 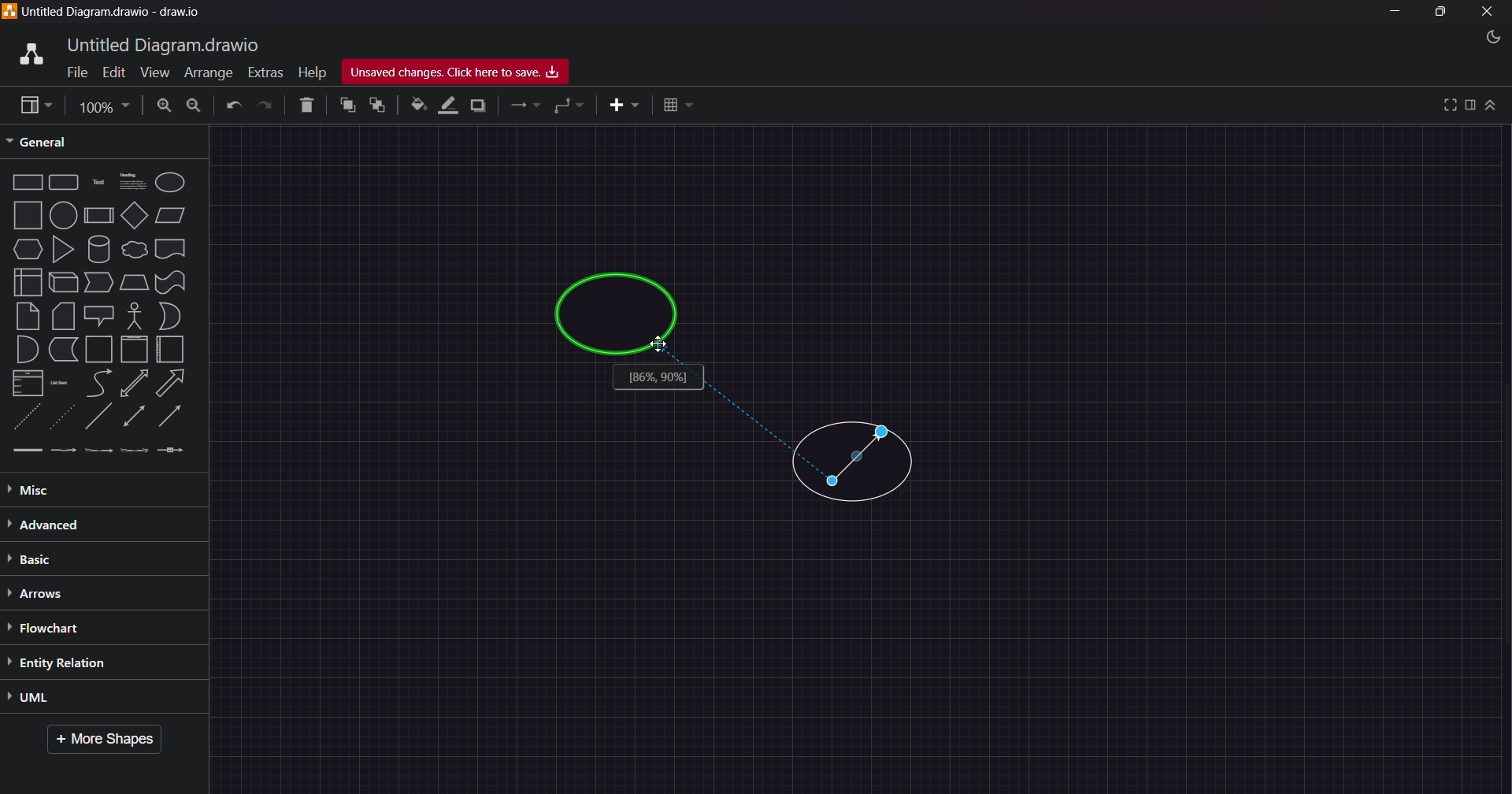 I want to click on view, so click(x=31, y=105).